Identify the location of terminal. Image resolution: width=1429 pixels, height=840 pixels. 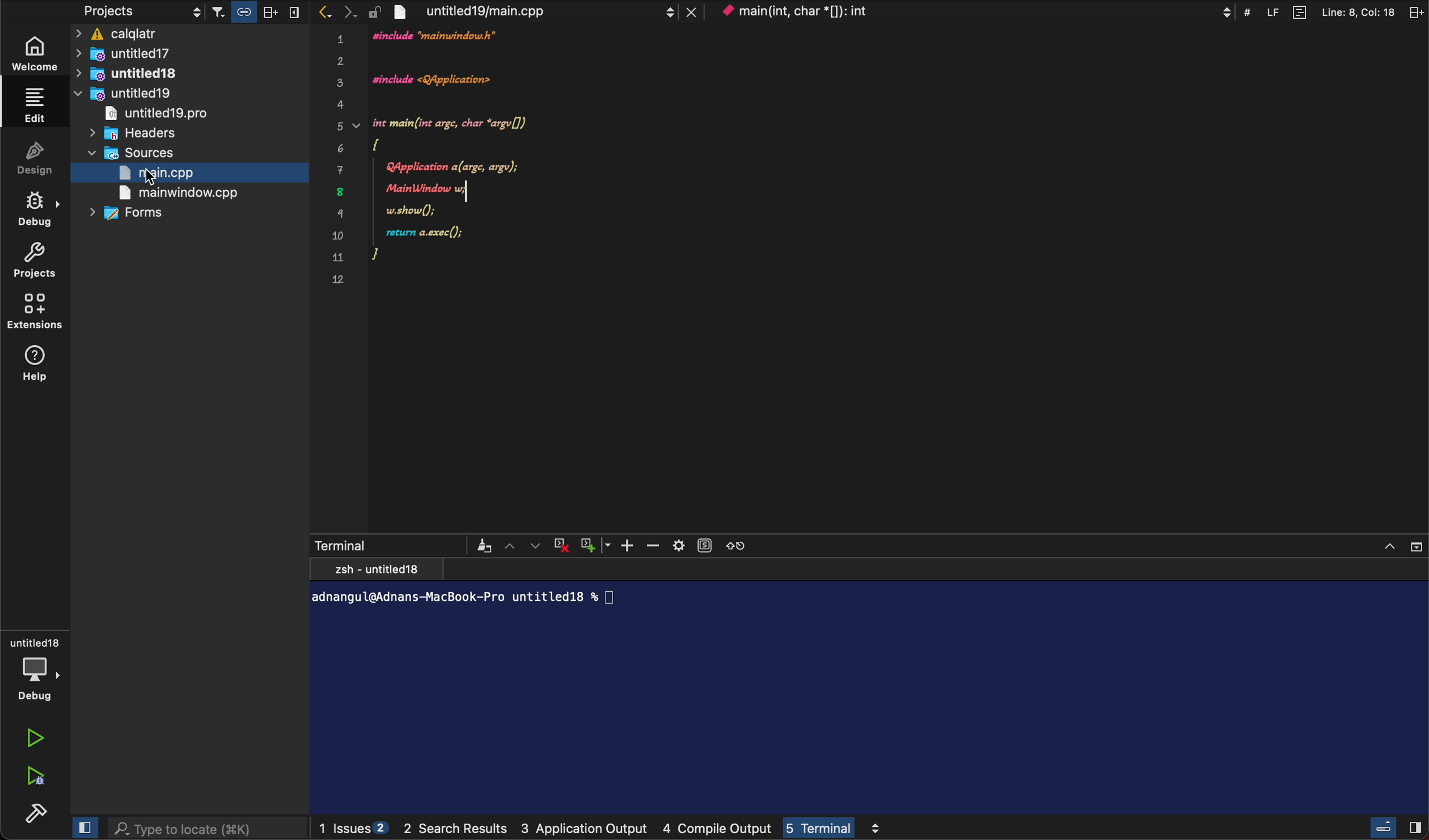
(866, 686).